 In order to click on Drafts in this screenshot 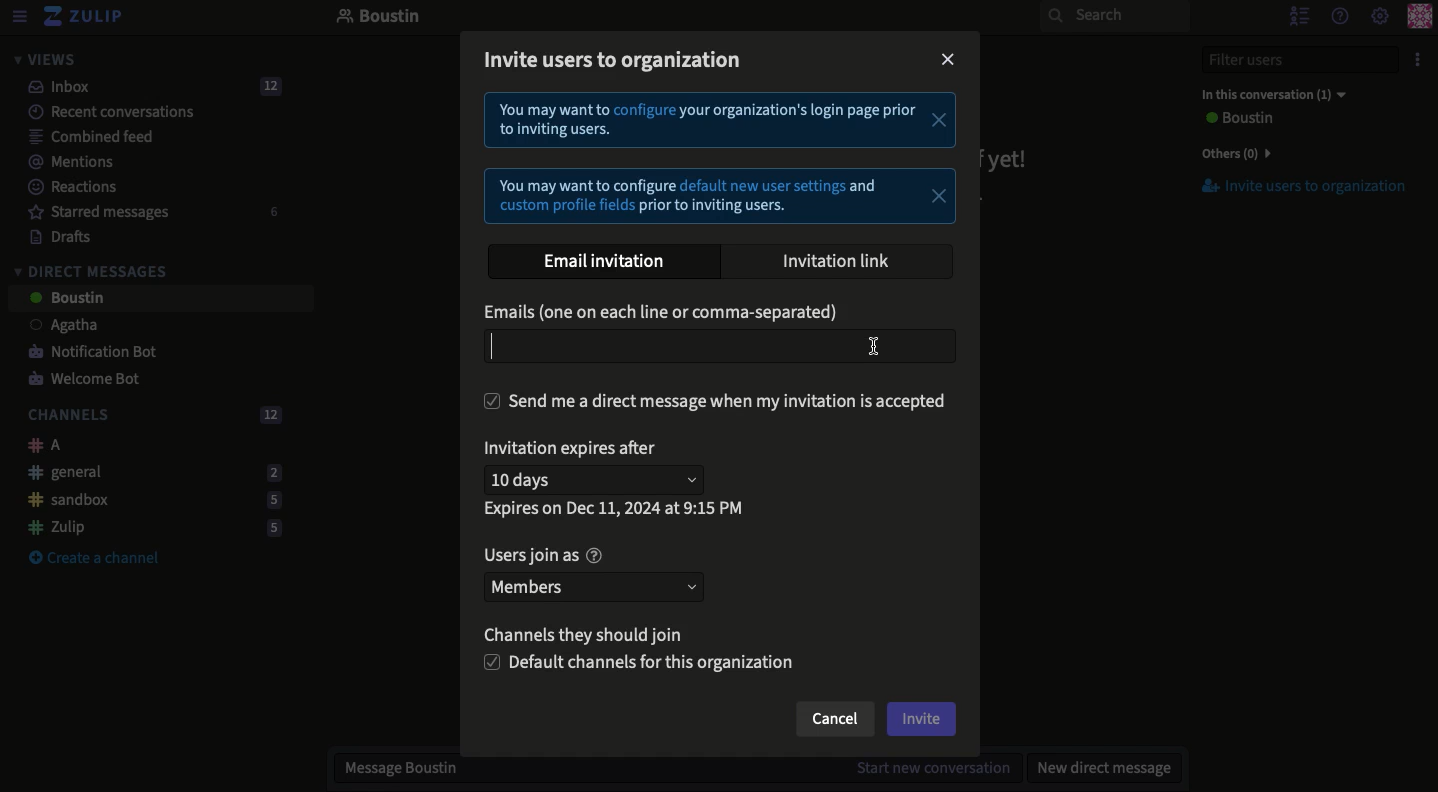, I will do `click(51, 236)`.